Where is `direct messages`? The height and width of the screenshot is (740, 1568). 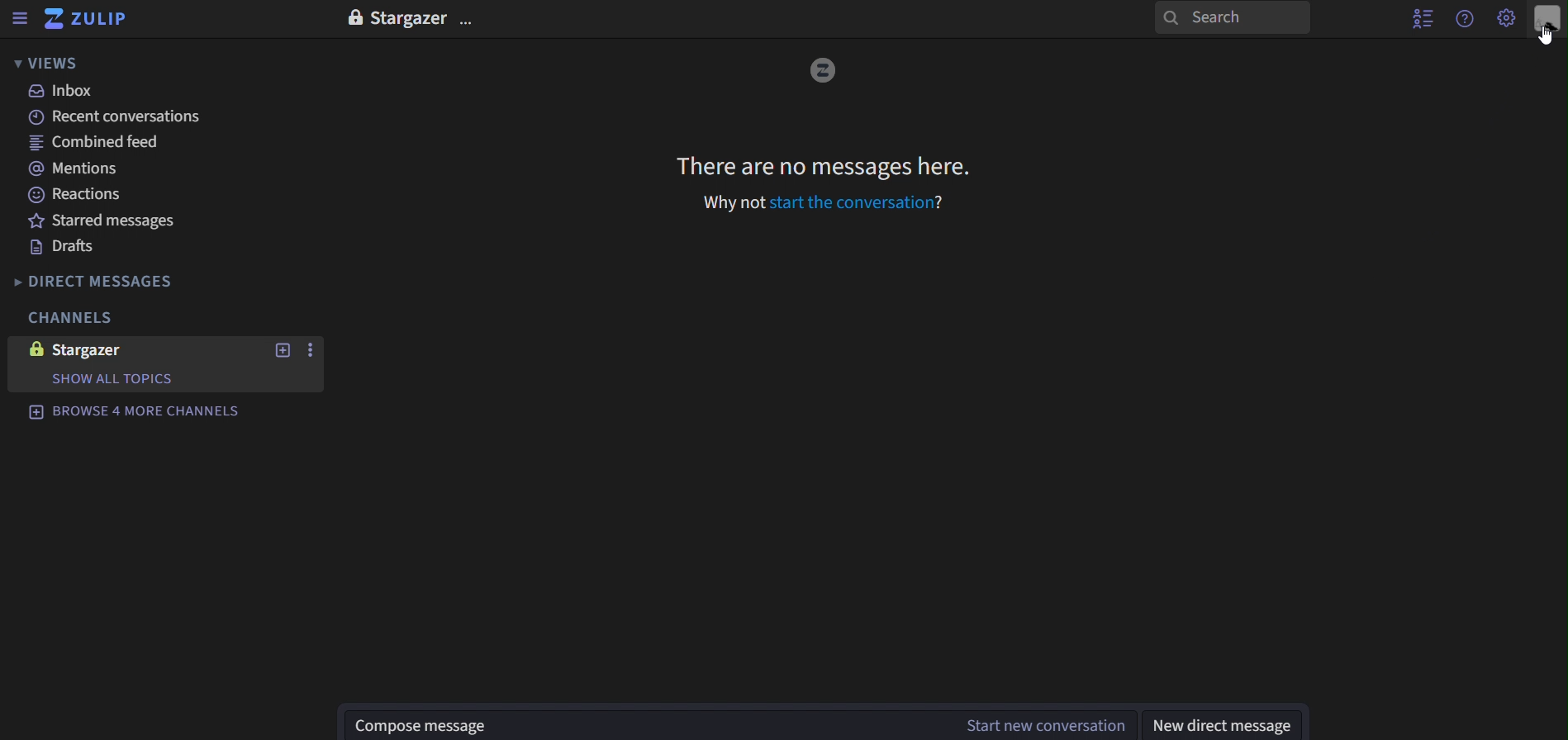 direct messages is located at coordinates (118, 280).